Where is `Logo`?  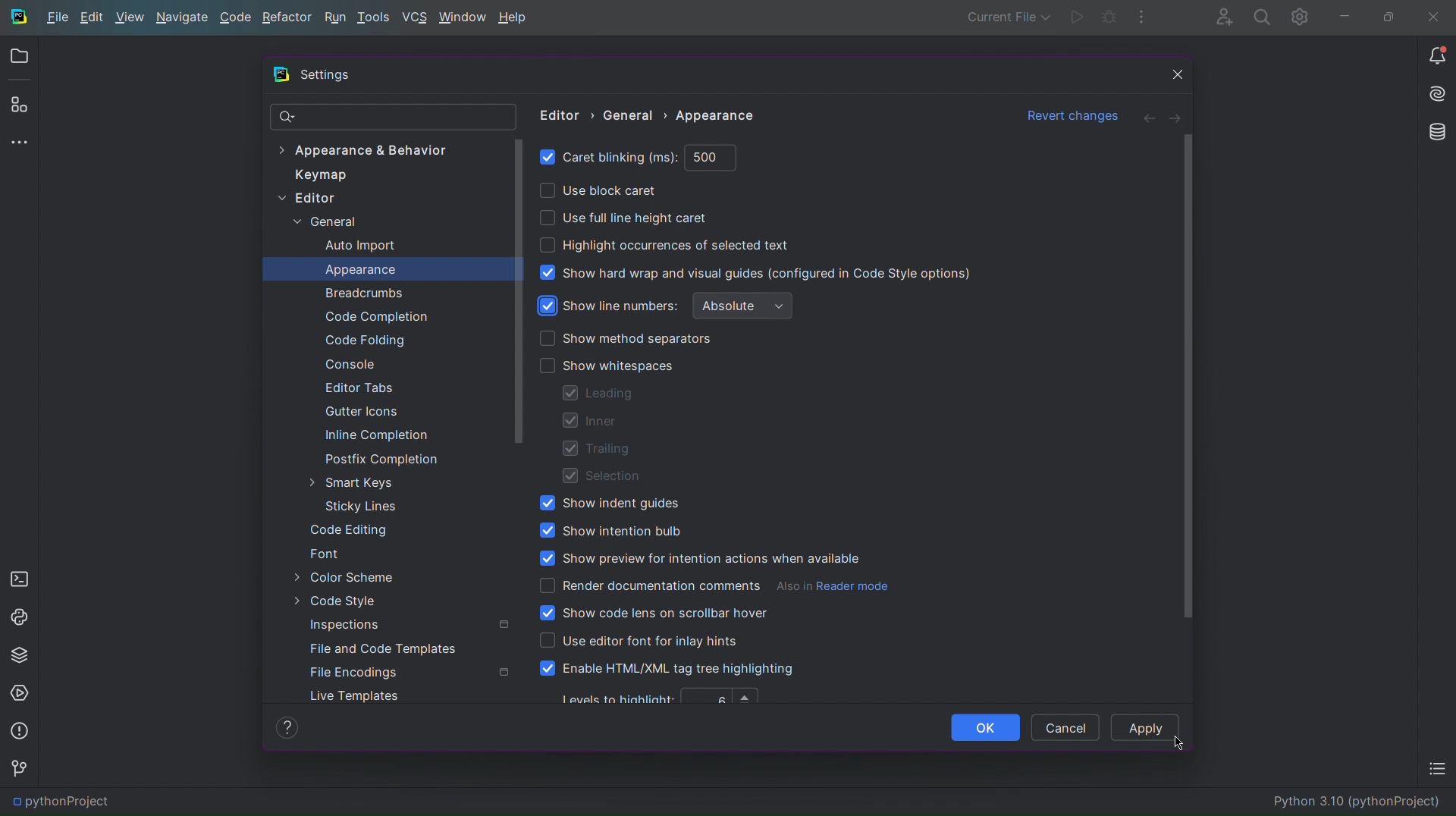
Logo is located at coordinates (17, 18).